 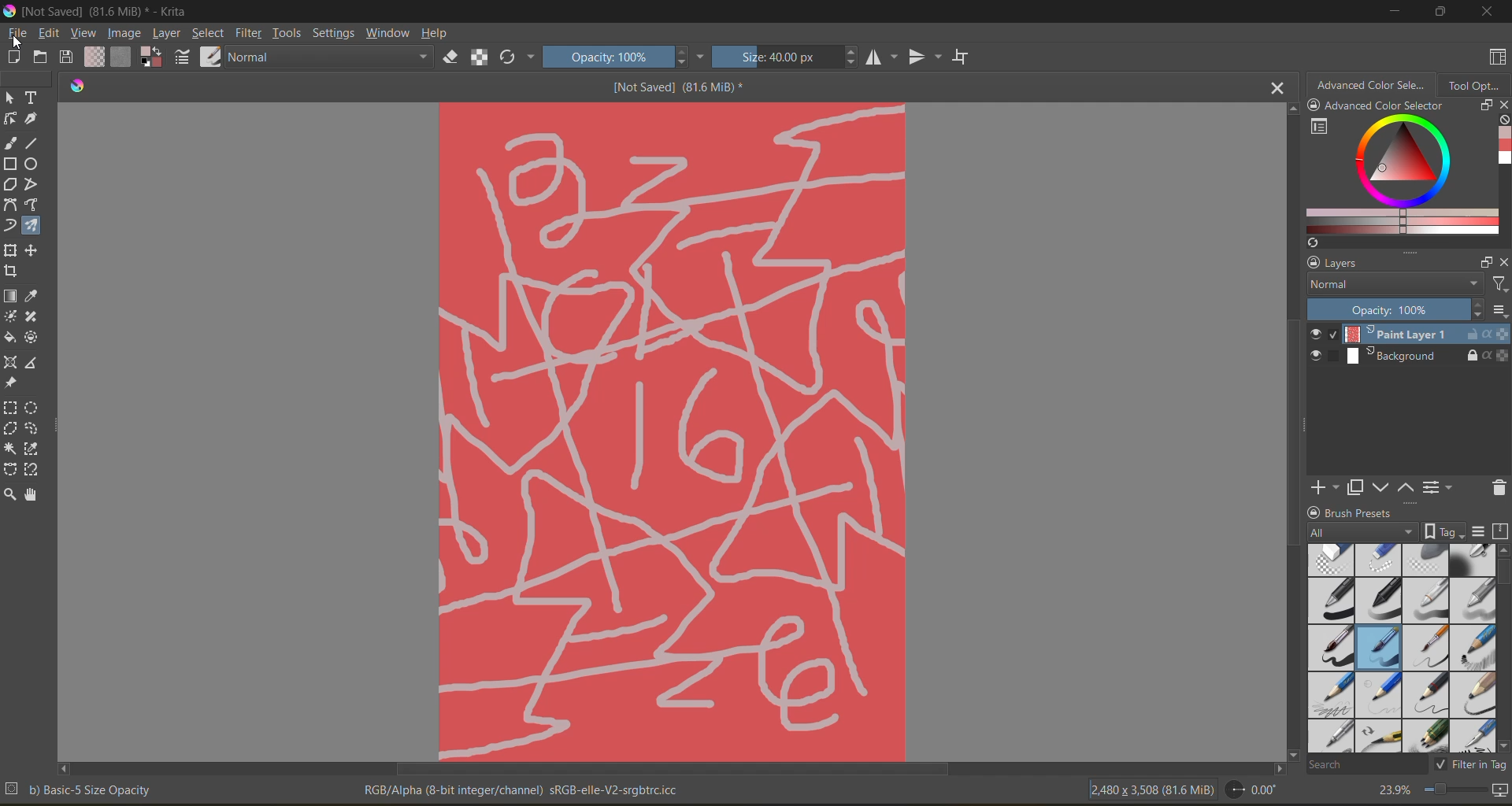 I want to click on delete mask, so click(x=1499, y=490).